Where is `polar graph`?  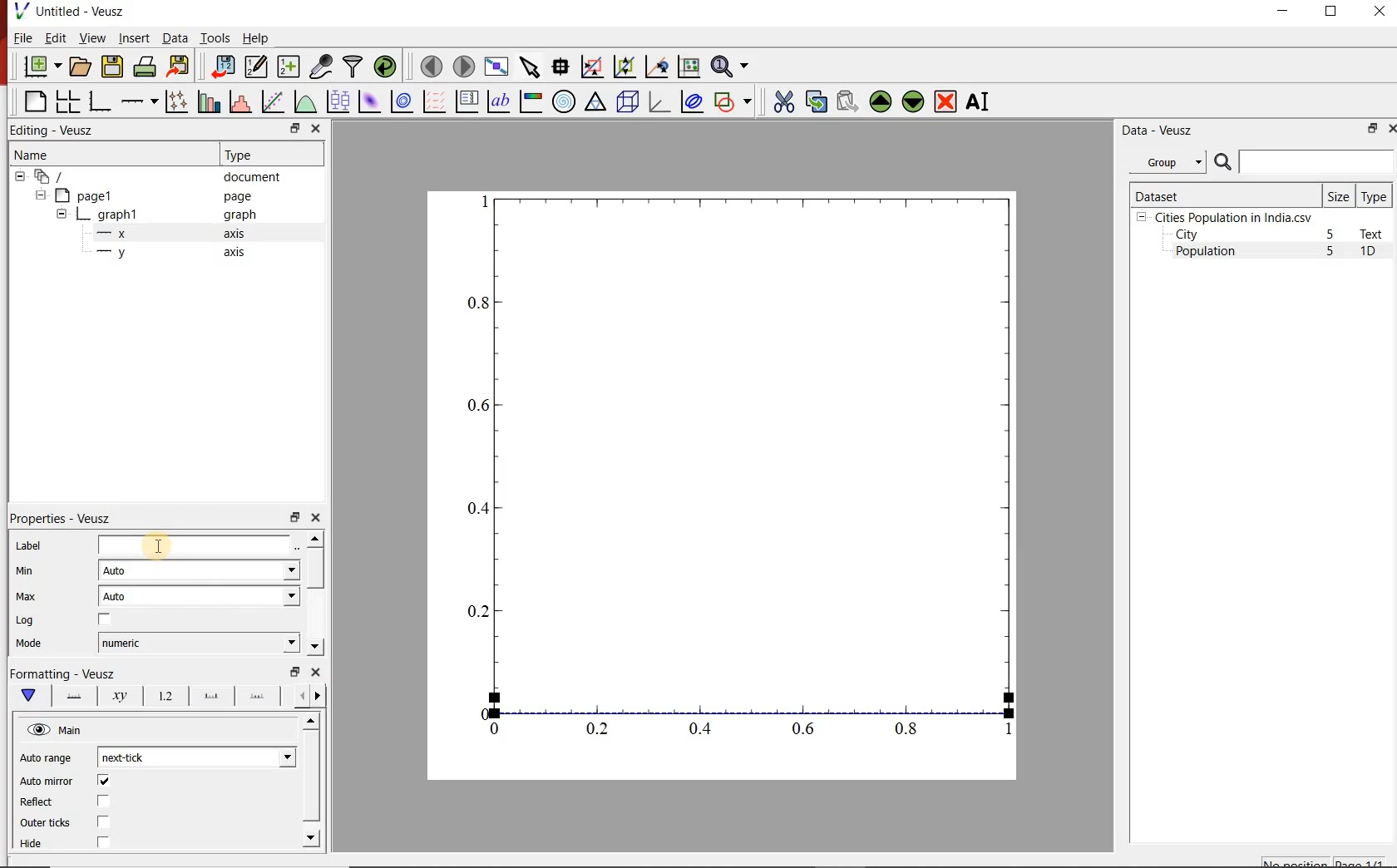 polar graph is located at coordinates (564, 101).